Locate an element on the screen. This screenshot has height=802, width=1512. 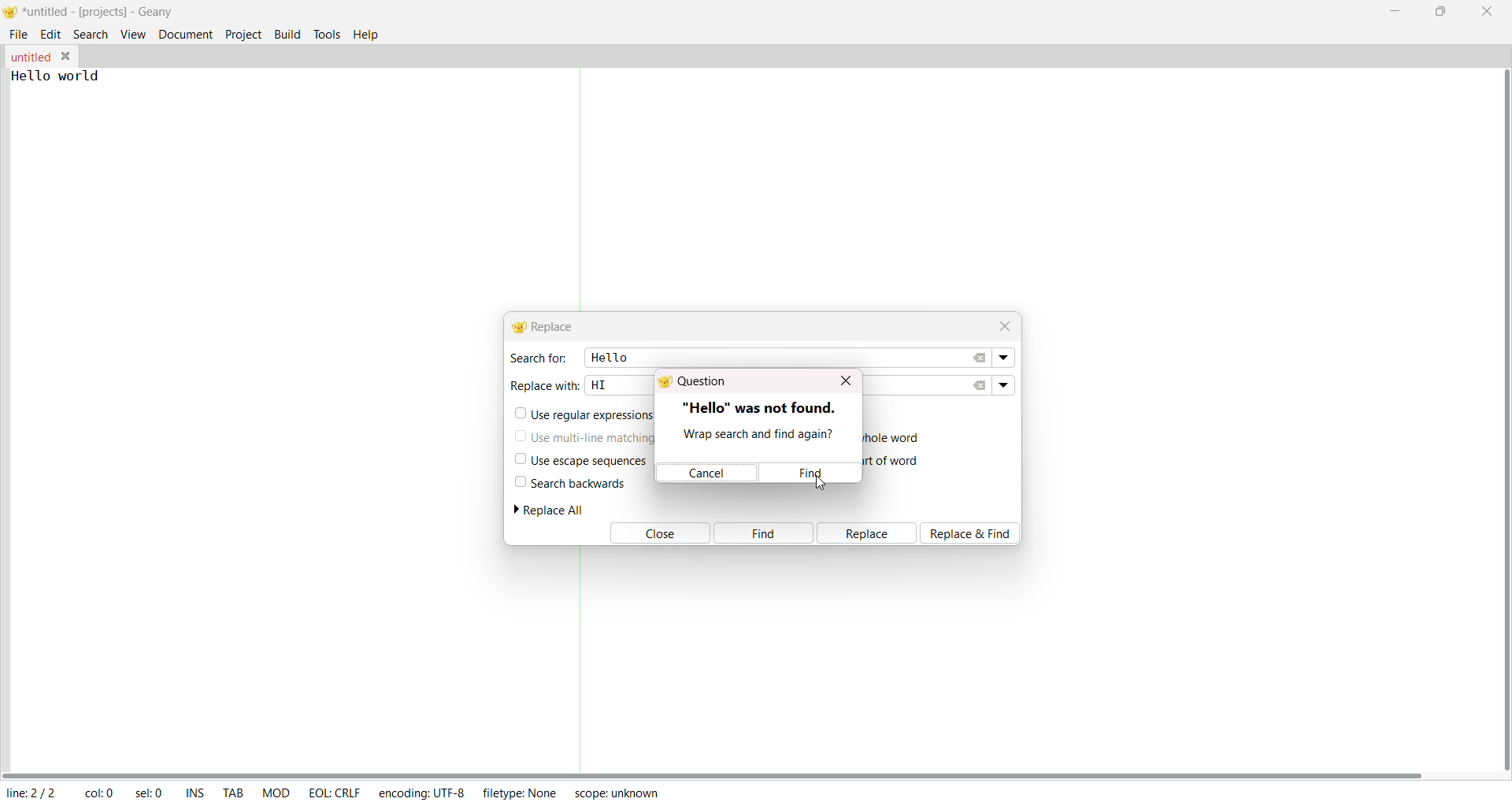
document is located at coordinates (186, 33).